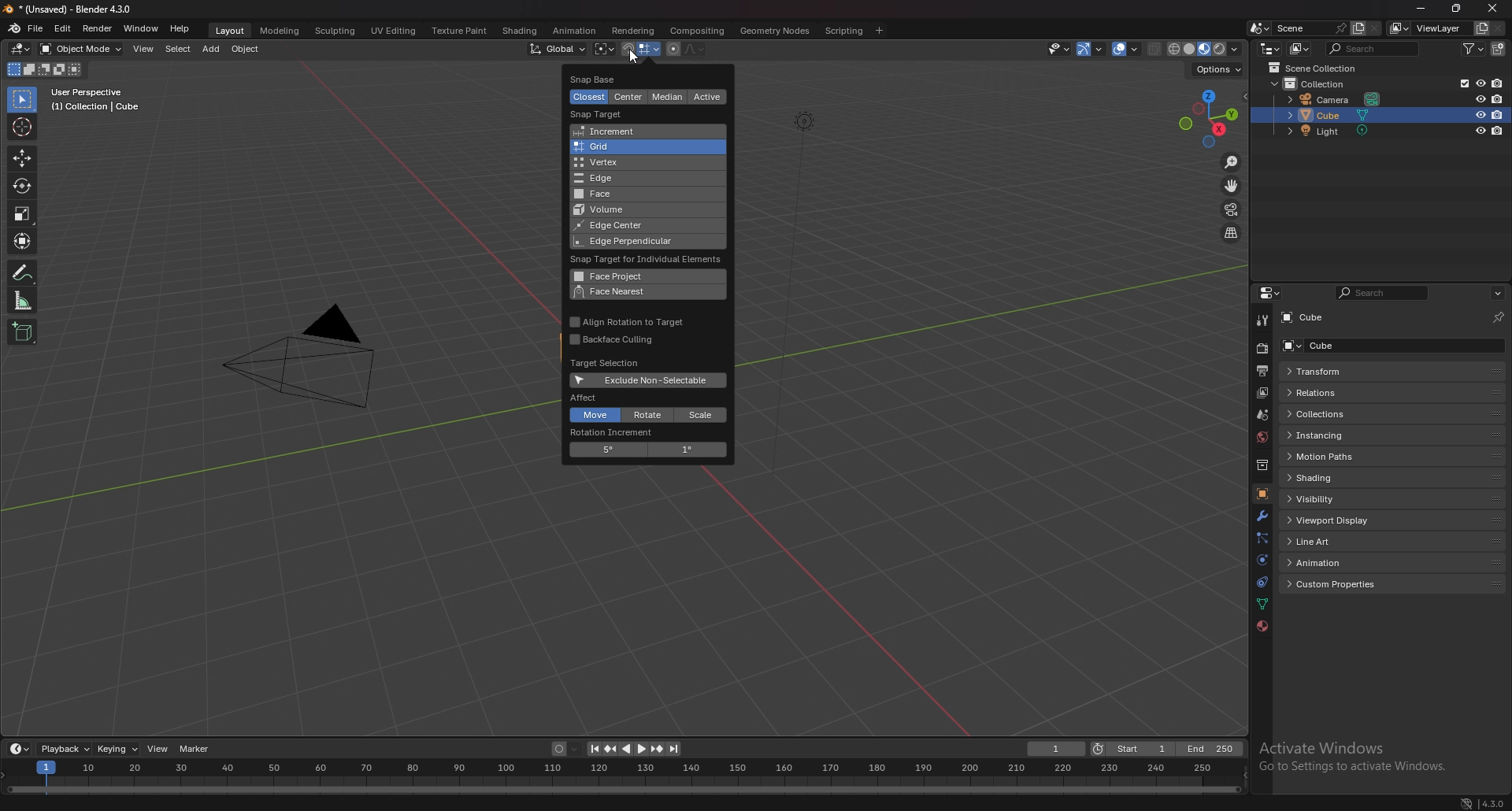  I want to click on minimize, so click(1421, 8).